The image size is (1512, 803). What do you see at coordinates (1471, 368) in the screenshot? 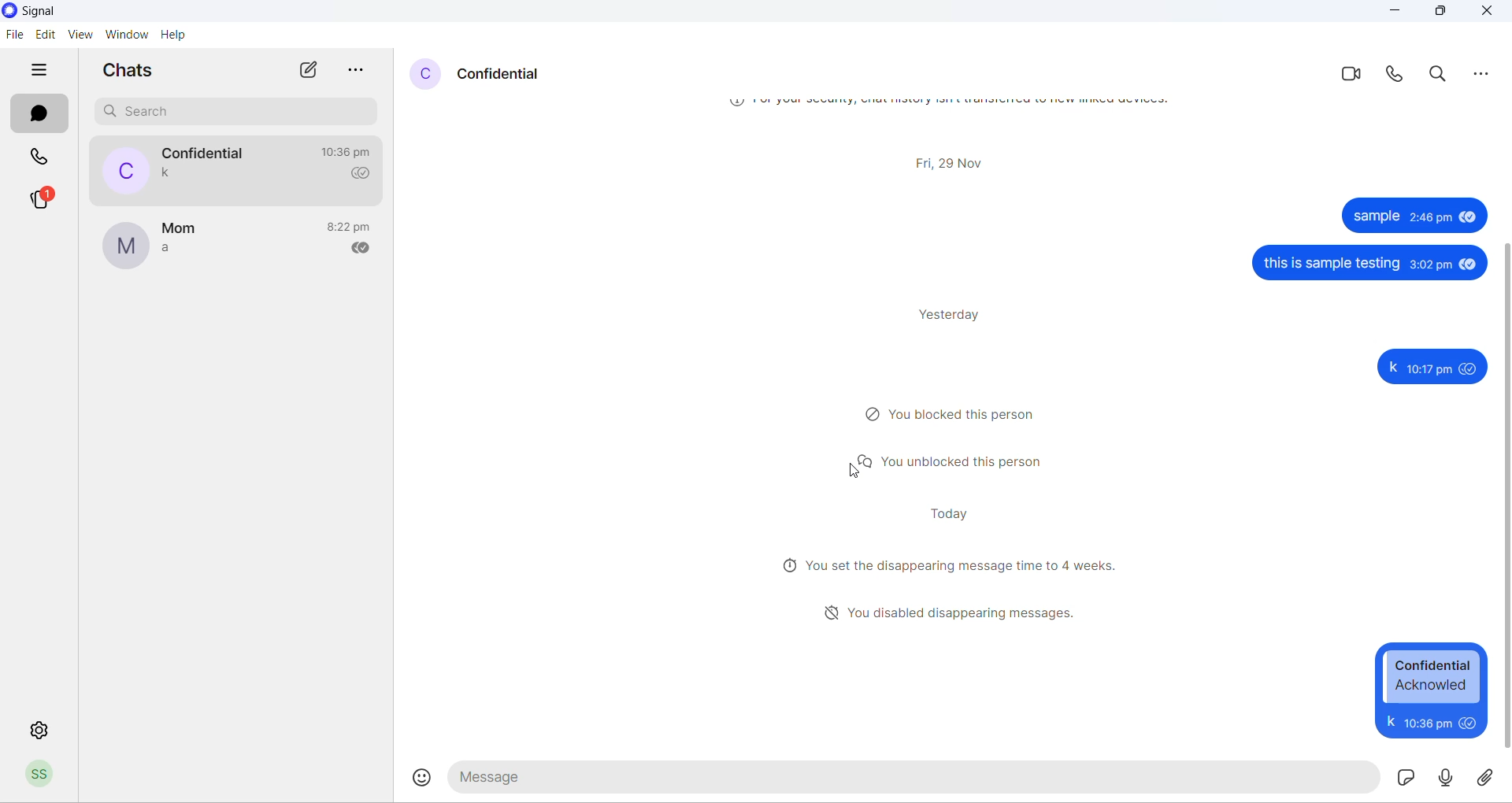
I see `seen` at bounding box center [1471, 368].